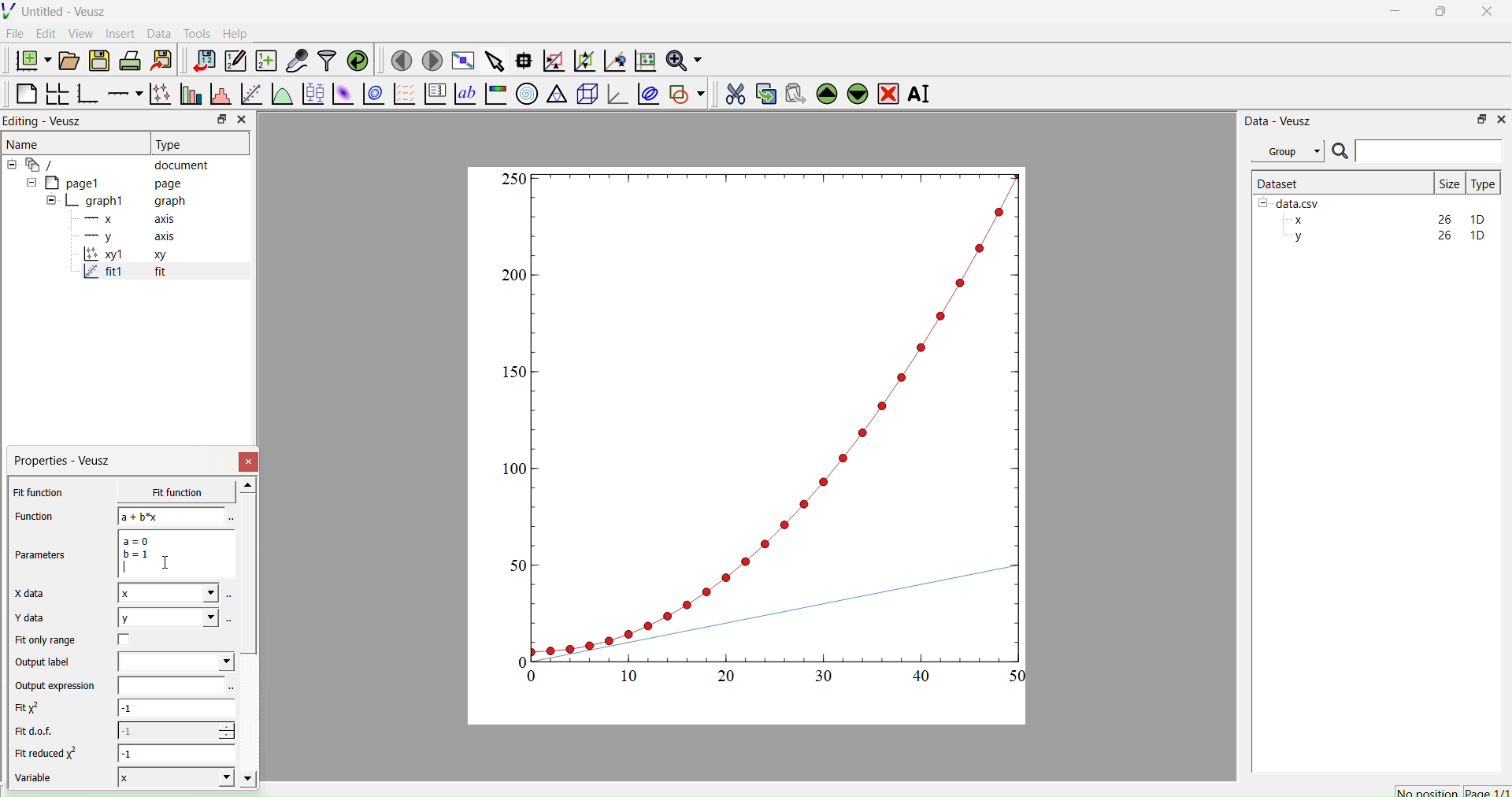  I want to click on y, so click(167, 617).